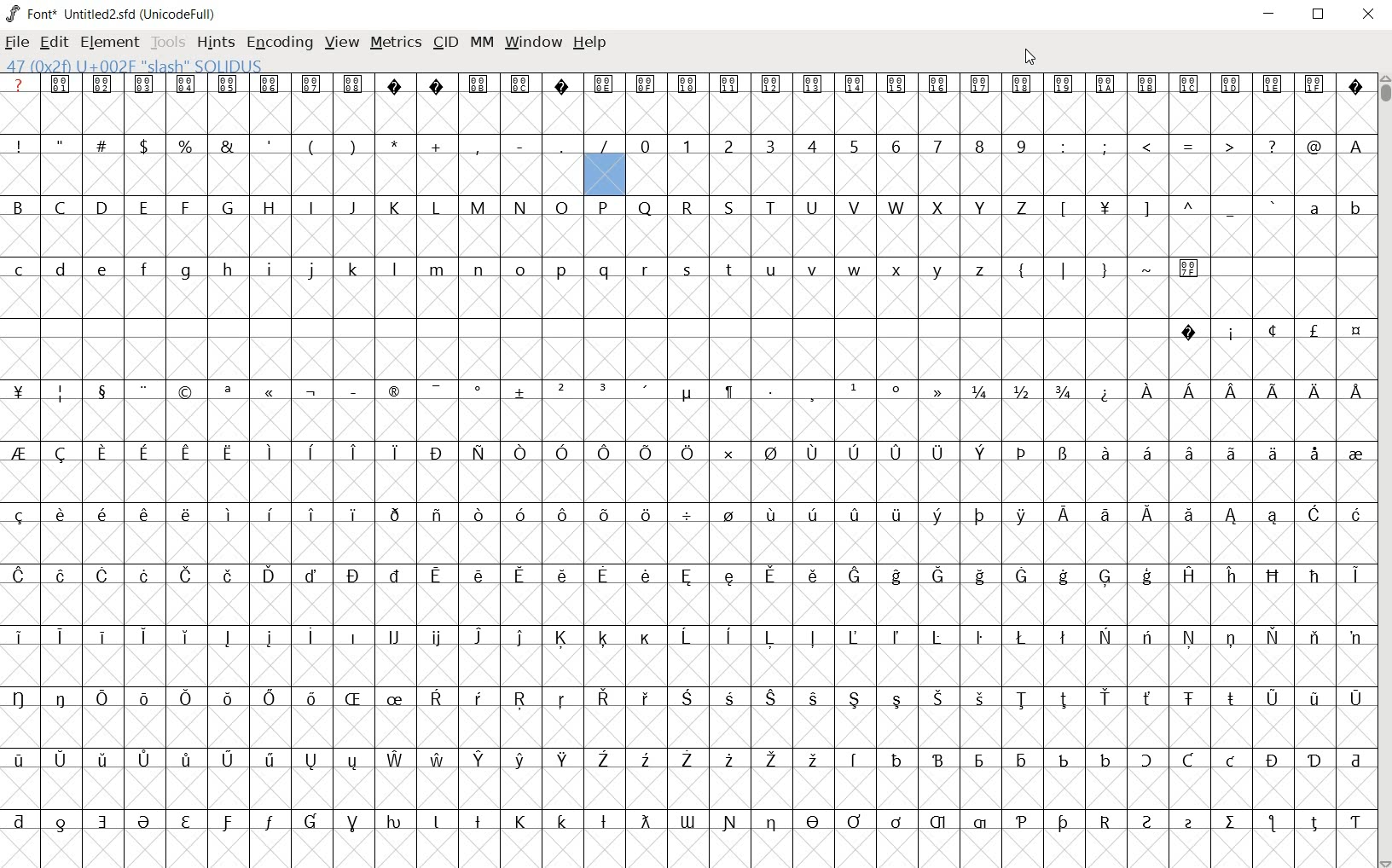 Image resolution: width=1392 pixels, height=868 pixels. Describe the element at coordinates (111, 13) in the screenshot. I see `FONT* UNTITLED2.SFD (UNICODEFULL)` at that location.